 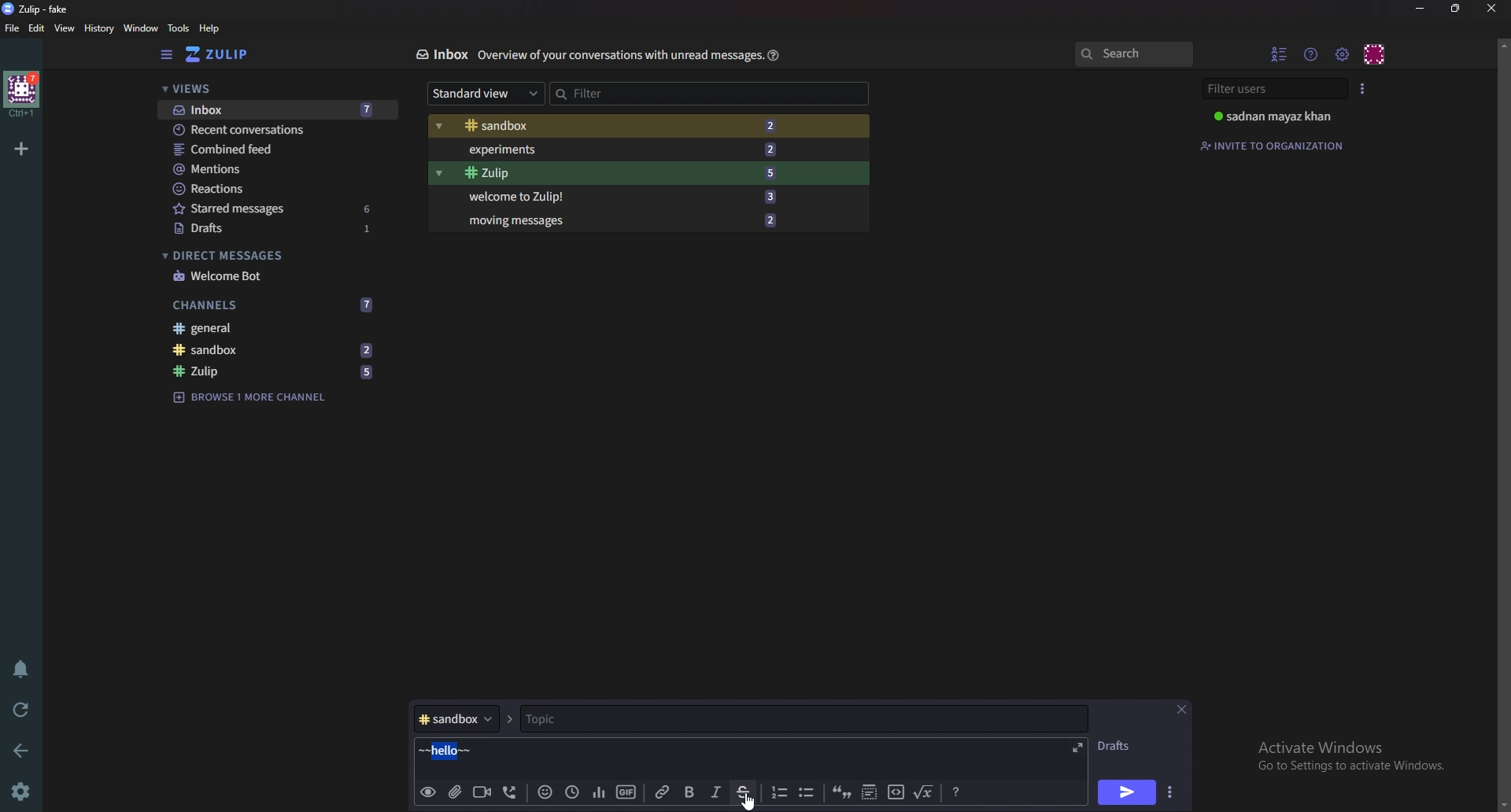 What do you see at coordinates (169, 54) in the screenshot?
I see `Hide sidebar` at bounding box center [169, 54].